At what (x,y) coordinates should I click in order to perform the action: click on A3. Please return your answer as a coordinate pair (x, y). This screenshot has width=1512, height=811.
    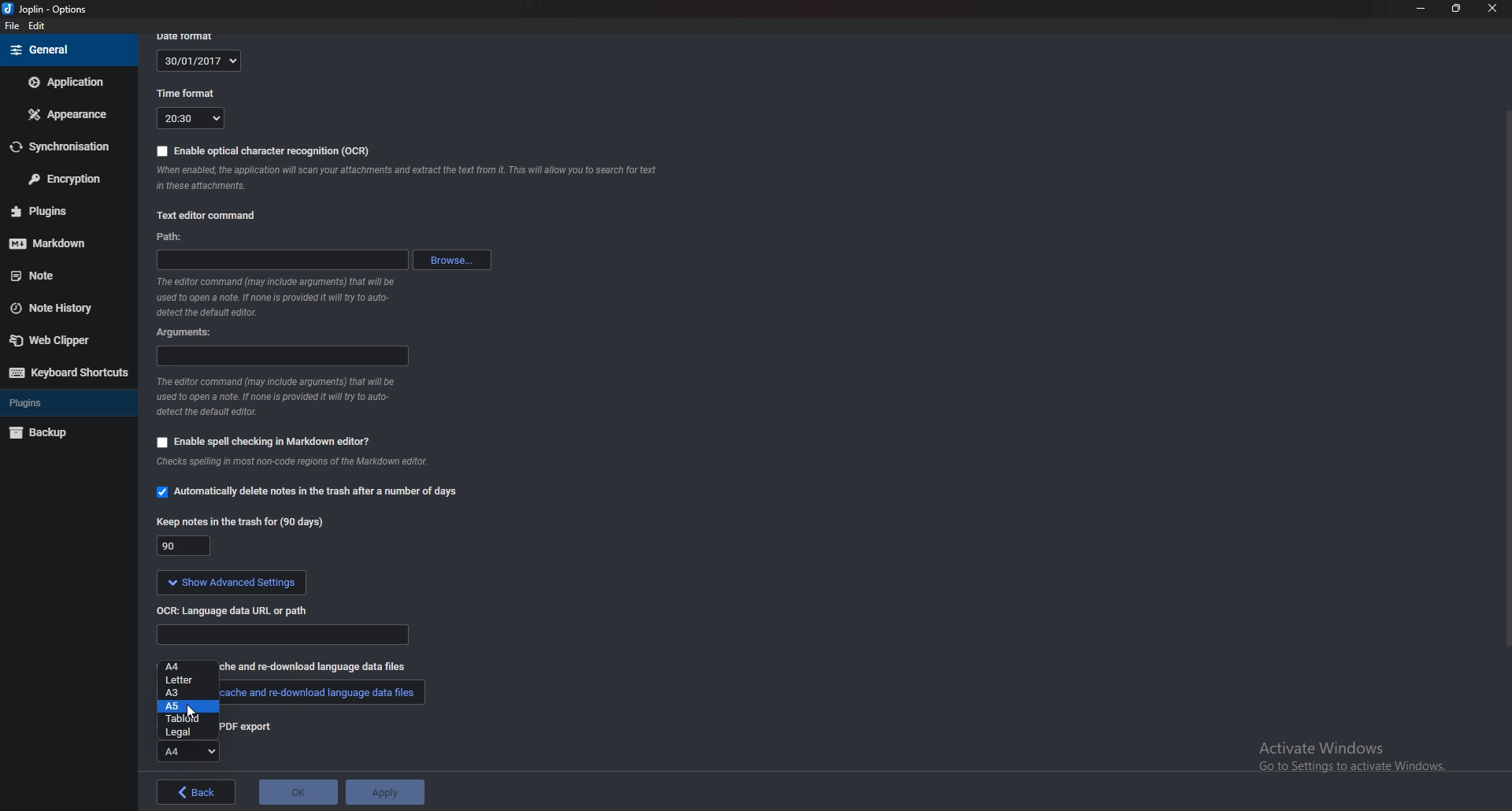
    Looking at the image, I should click on (185, 693).